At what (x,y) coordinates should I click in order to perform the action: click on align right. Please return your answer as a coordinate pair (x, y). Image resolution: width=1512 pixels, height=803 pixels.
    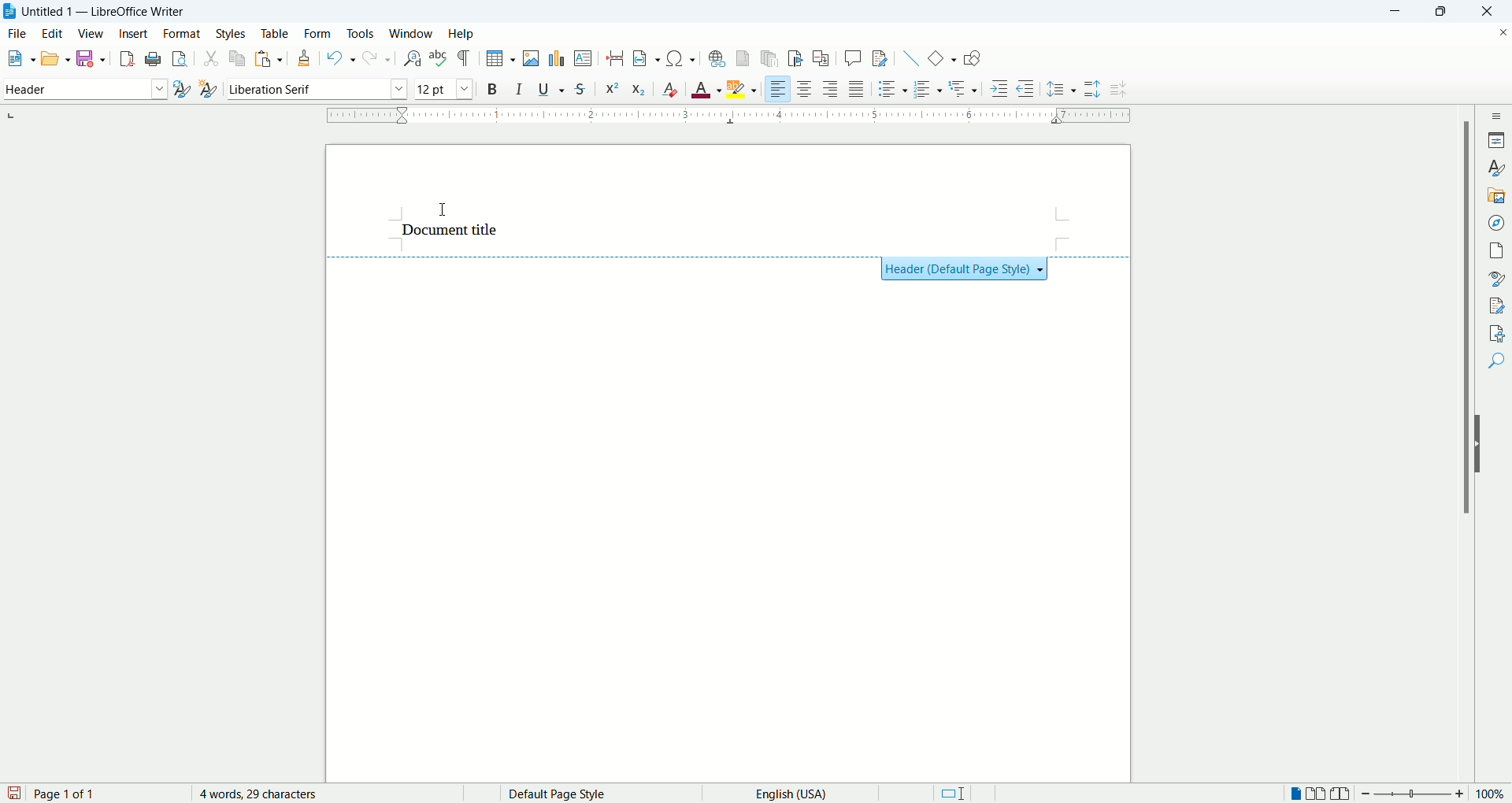
    Looking at the image, I should click on (830, 90).